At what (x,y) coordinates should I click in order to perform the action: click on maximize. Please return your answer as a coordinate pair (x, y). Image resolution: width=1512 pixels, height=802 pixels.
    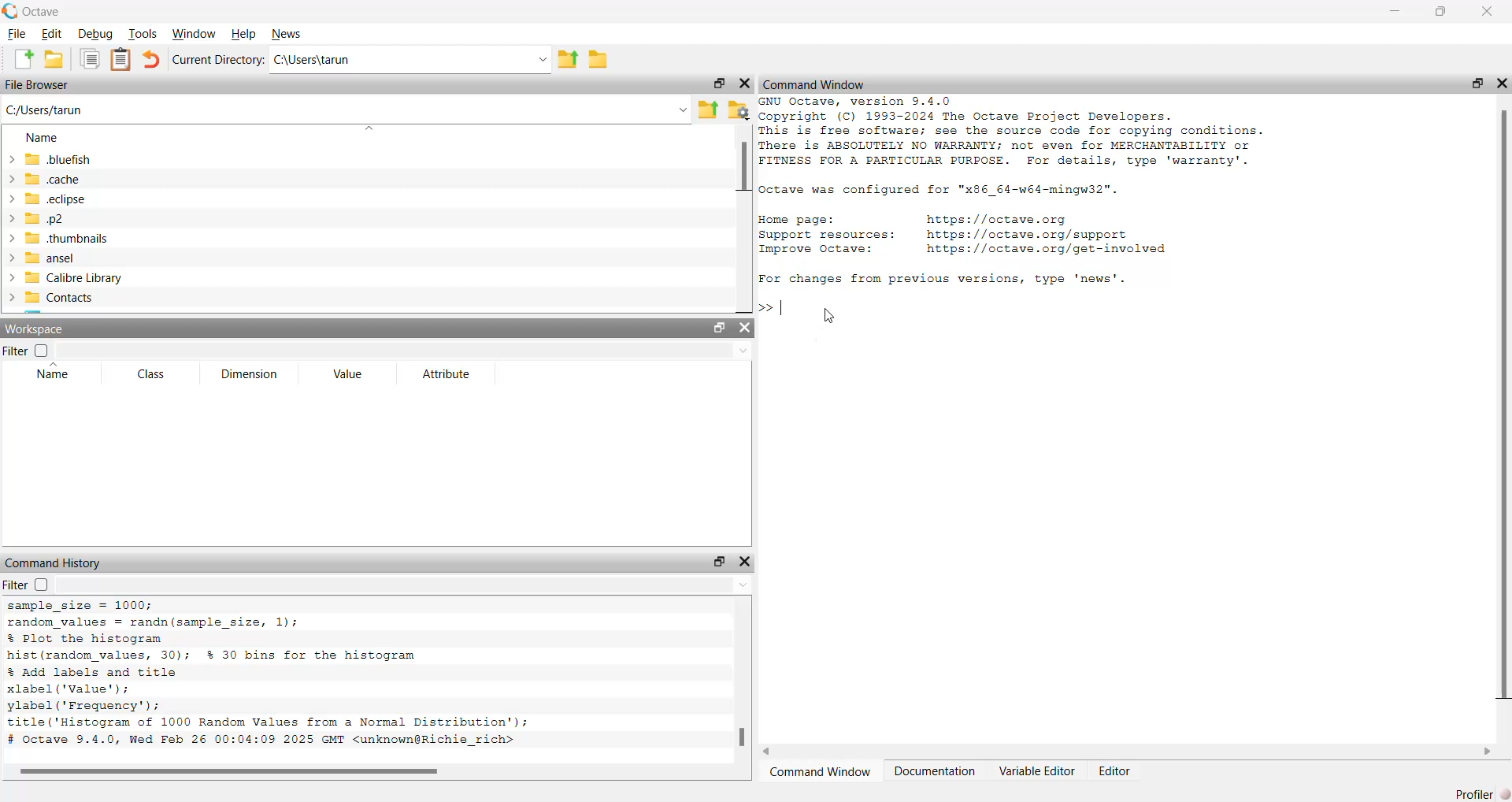
    Looking at the image, I should click on (717, 563).